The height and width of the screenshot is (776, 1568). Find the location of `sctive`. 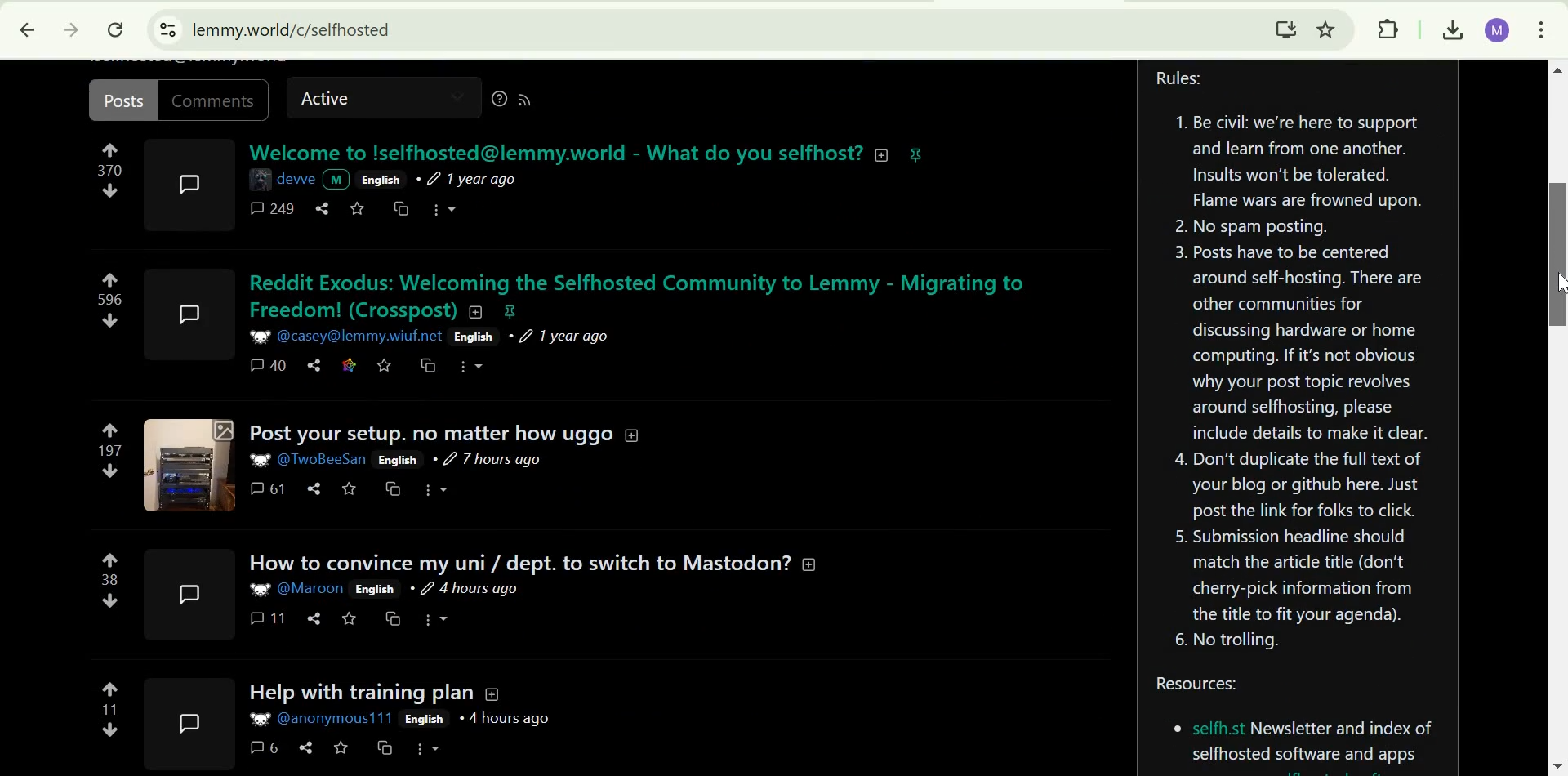

sctive is located at coordinates (328, 100).